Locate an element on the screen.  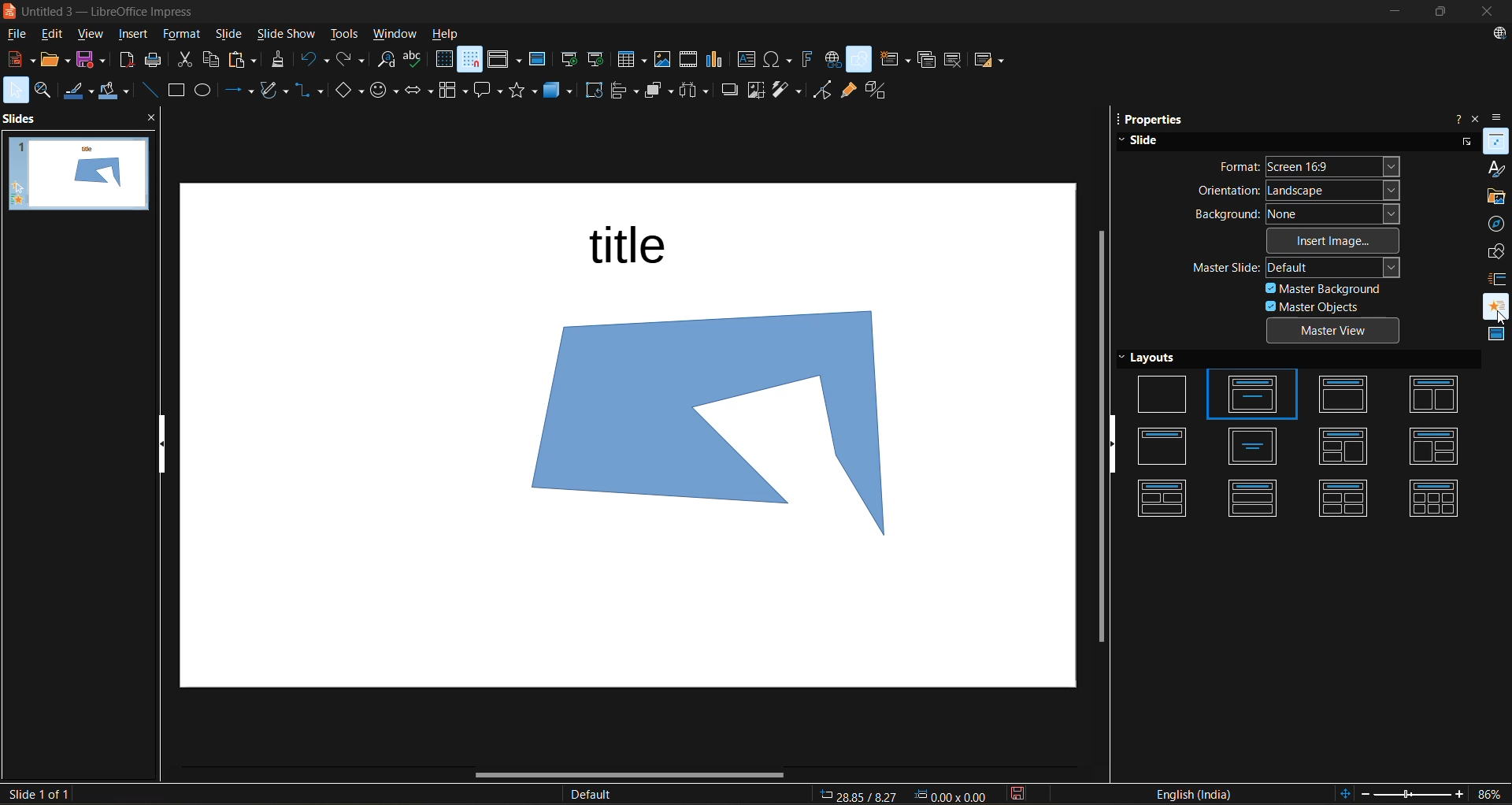
print is located at coordinates (158, 61).